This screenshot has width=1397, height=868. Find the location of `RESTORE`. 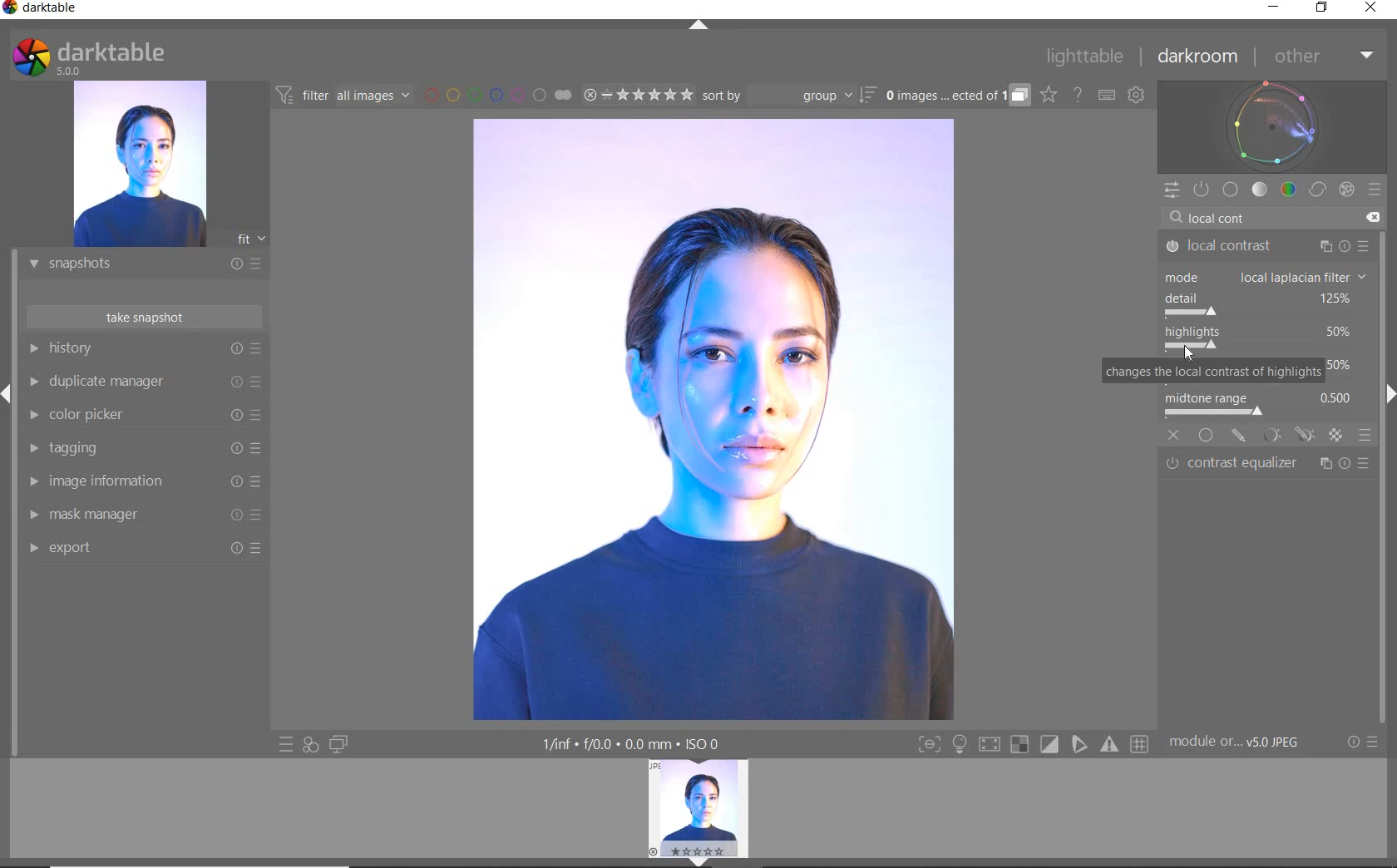

RESTORE is located at coordinates (1325, 8).